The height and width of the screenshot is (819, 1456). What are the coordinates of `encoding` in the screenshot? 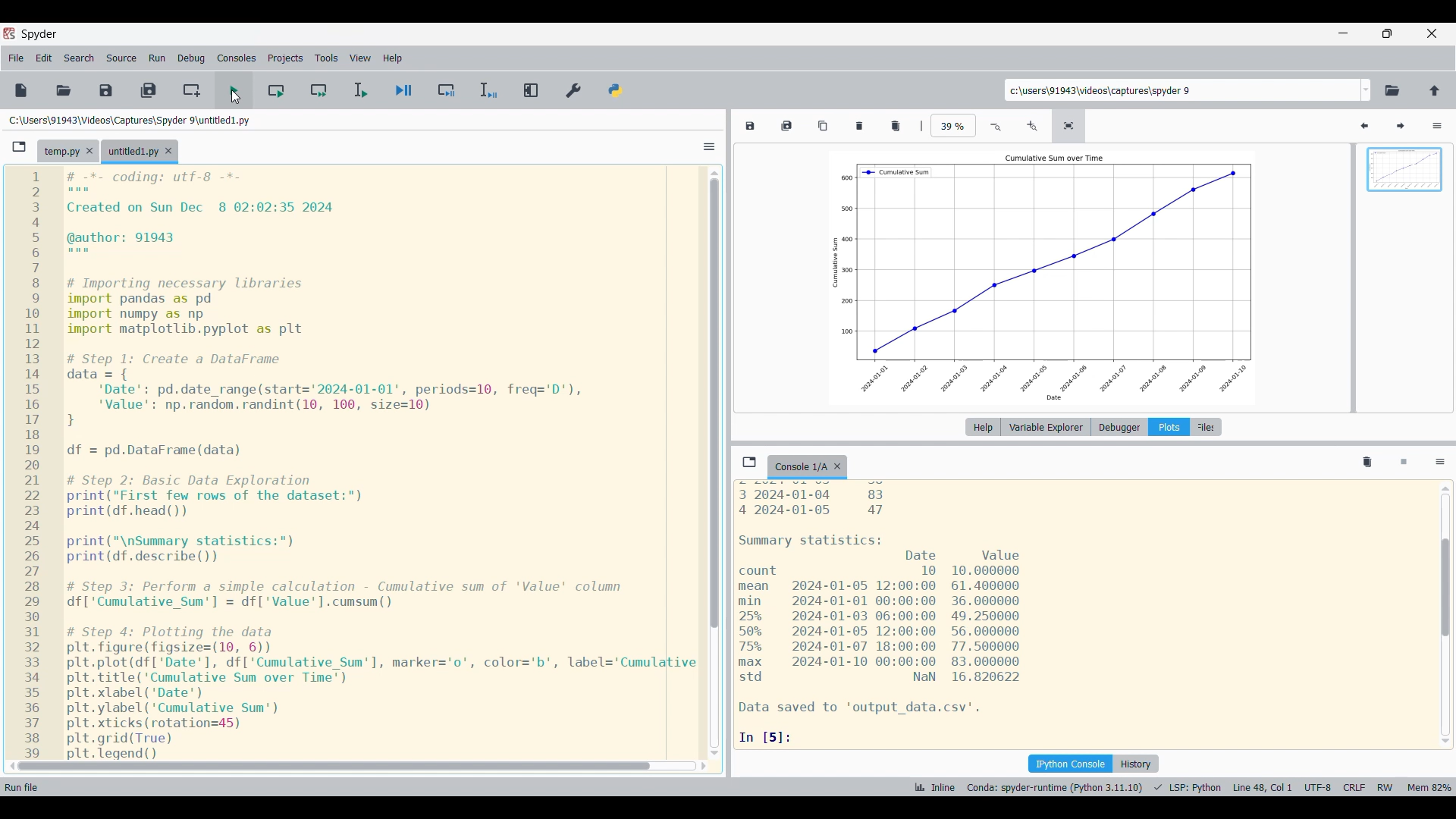 It's located at (1314, 786).